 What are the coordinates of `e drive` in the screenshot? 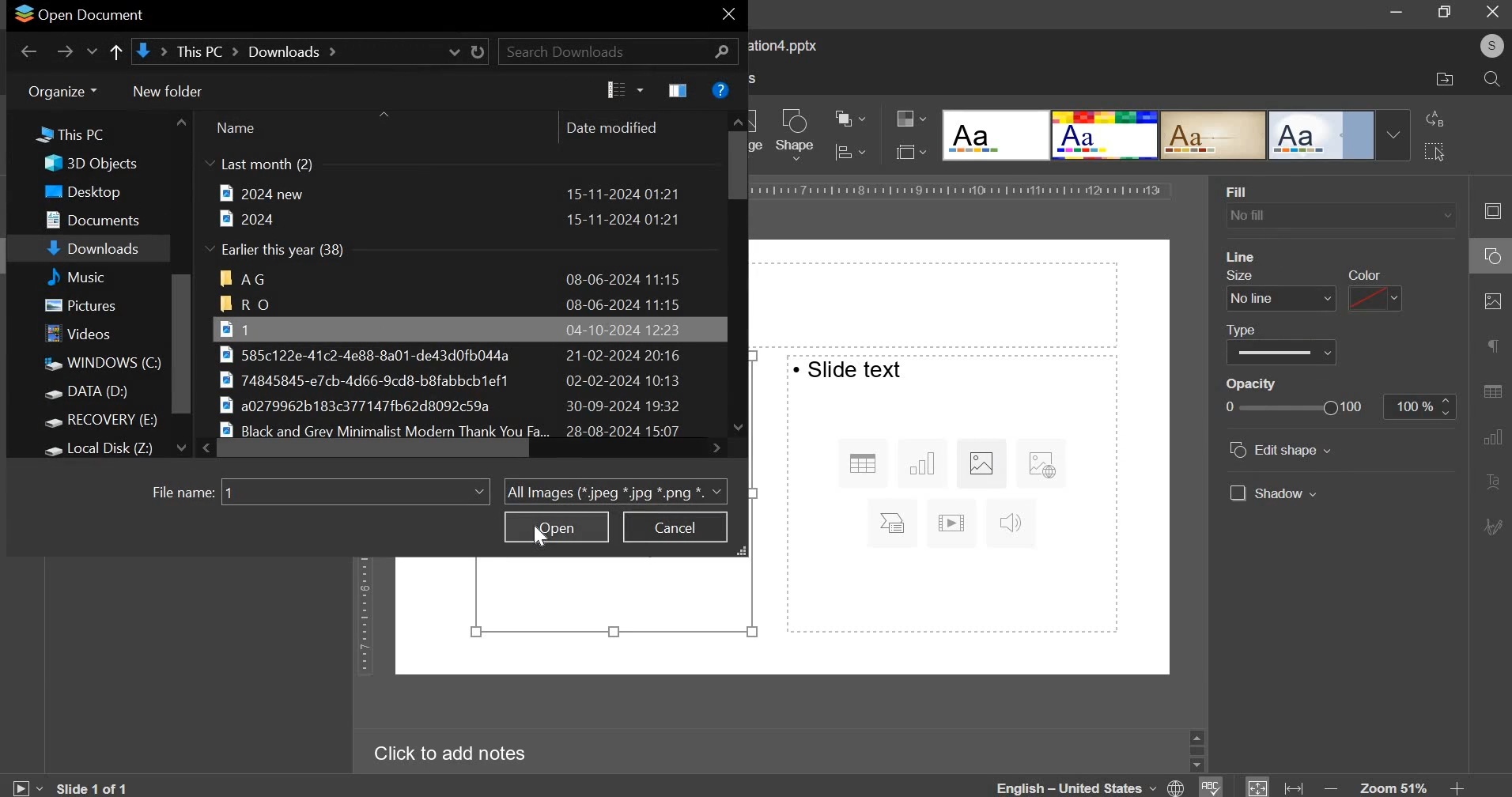 It's located at (105, 422).